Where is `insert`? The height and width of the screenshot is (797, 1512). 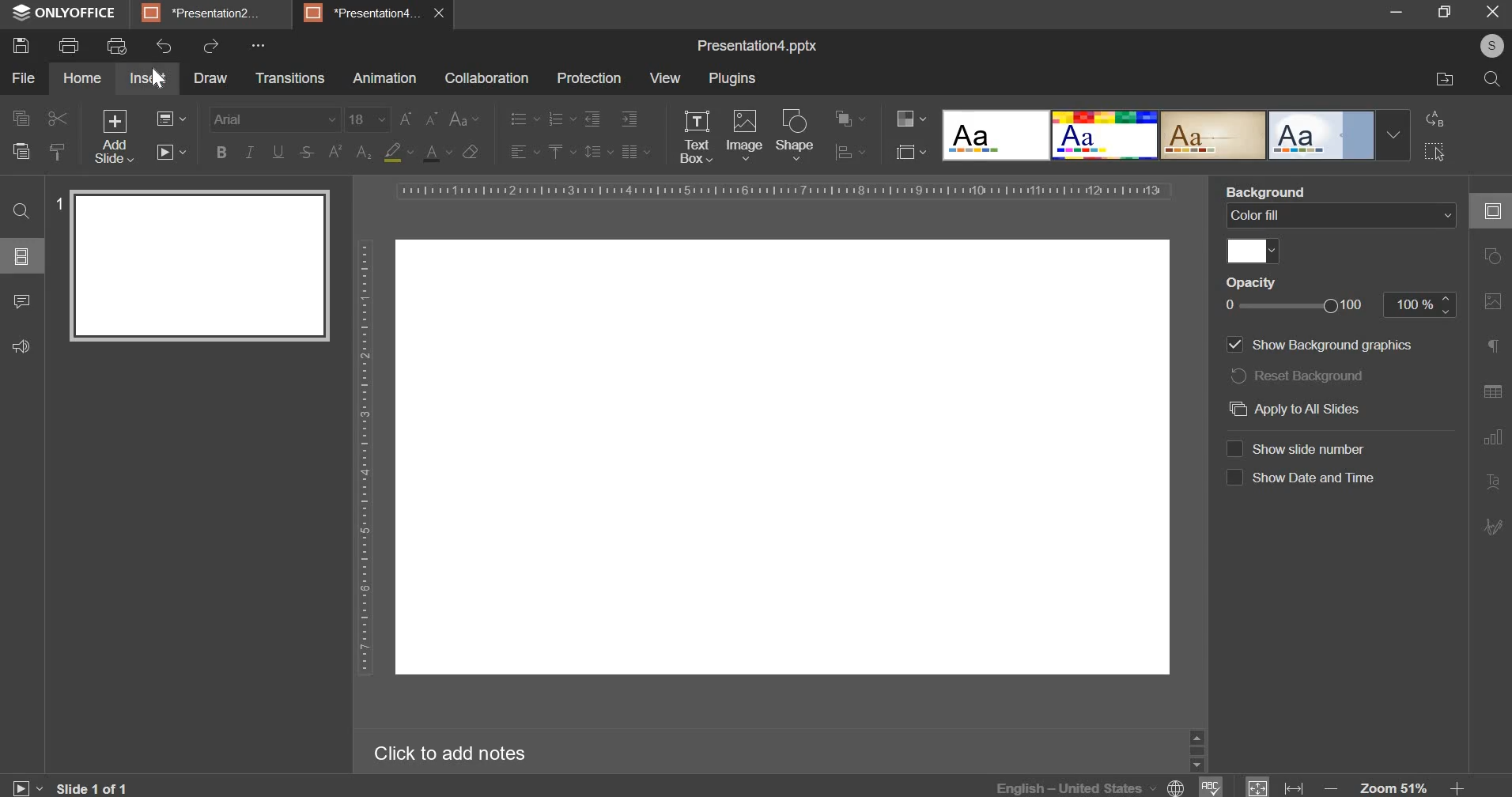
insert is located at coordinates (146, 78).